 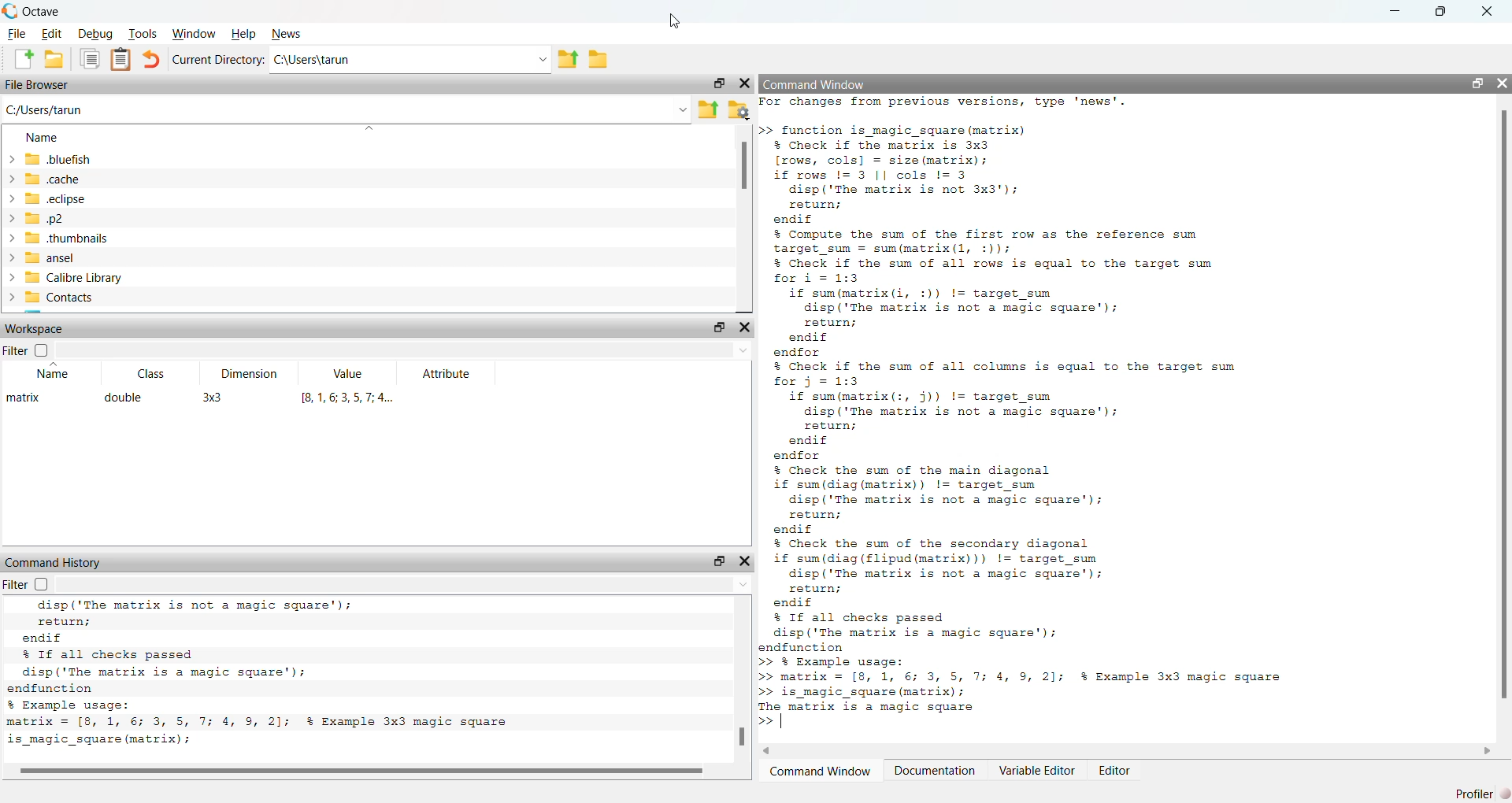 What do you see at coordinates (273, 675) in the screenshot?
I see `disp ('The matrix is not a magic square’);
return;
endif
% If all checks passed
disp (‘The matrix is a magic square’);
endfunction
% Example usage:
matrix = [8, 1, 6; 3, 5, 7; 4, 9, 2]; % Example 3x3 magic square
is magic_square (matrix);` at bounding box center [273, 675].